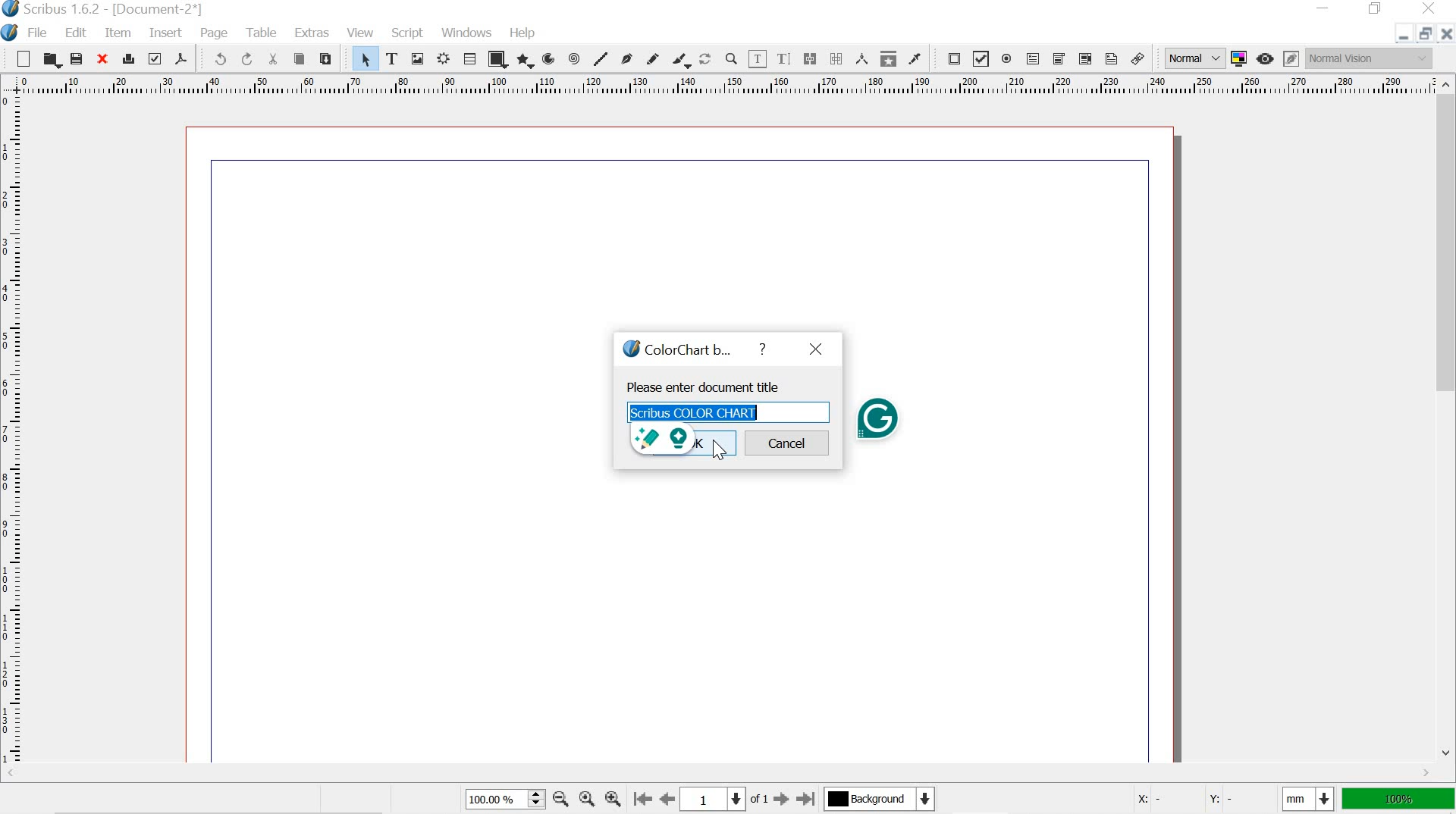  Describe the element at coordinates (155, 58) in the screenshot. I see `preflight verifier` at that location.